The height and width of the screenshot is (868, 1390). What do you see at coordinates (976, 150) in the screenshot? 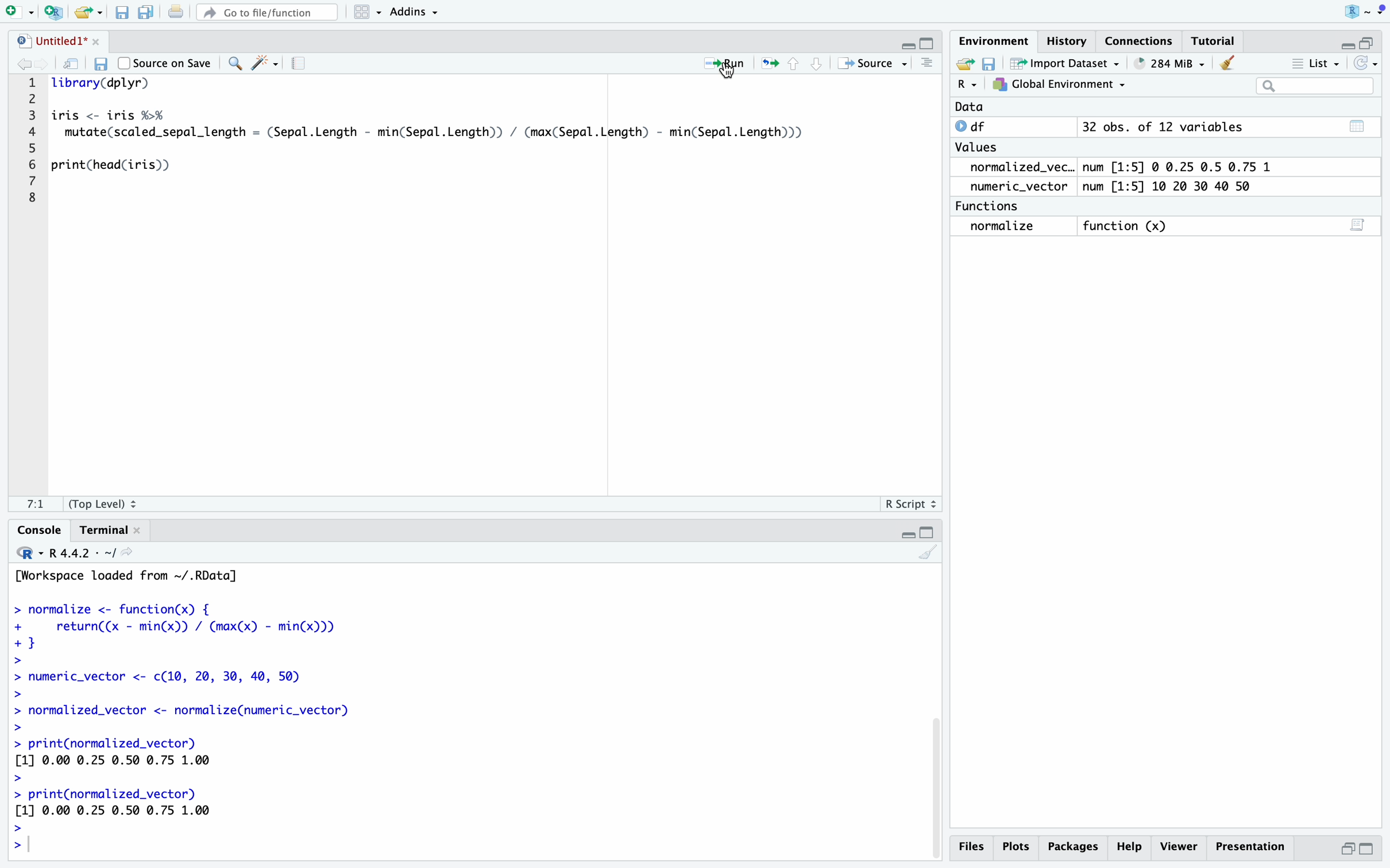
I see `Values` at bounding box center [976, 150].